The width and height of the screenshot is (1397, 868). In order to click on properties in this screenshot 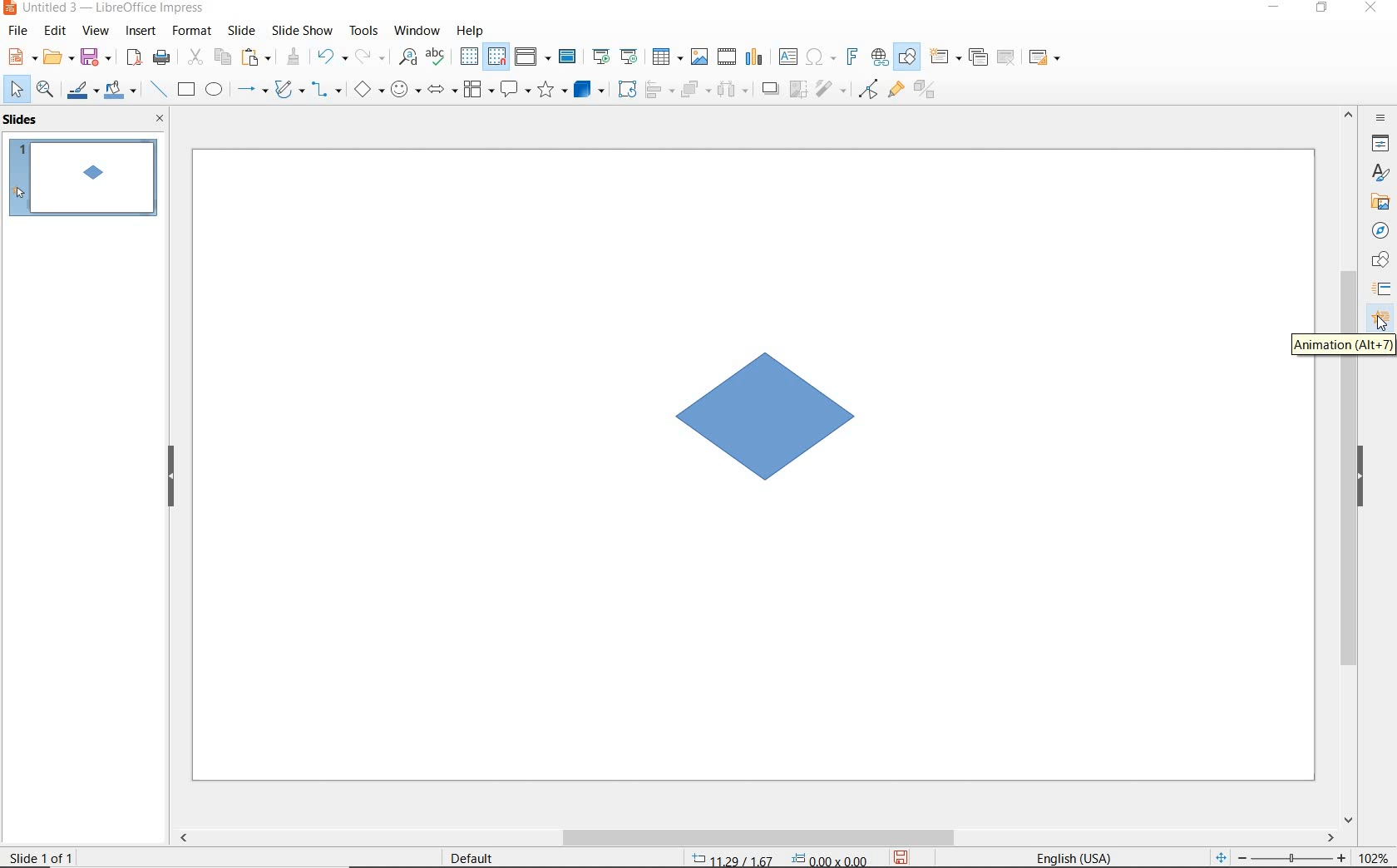, I will do `click(1380, 144)`.